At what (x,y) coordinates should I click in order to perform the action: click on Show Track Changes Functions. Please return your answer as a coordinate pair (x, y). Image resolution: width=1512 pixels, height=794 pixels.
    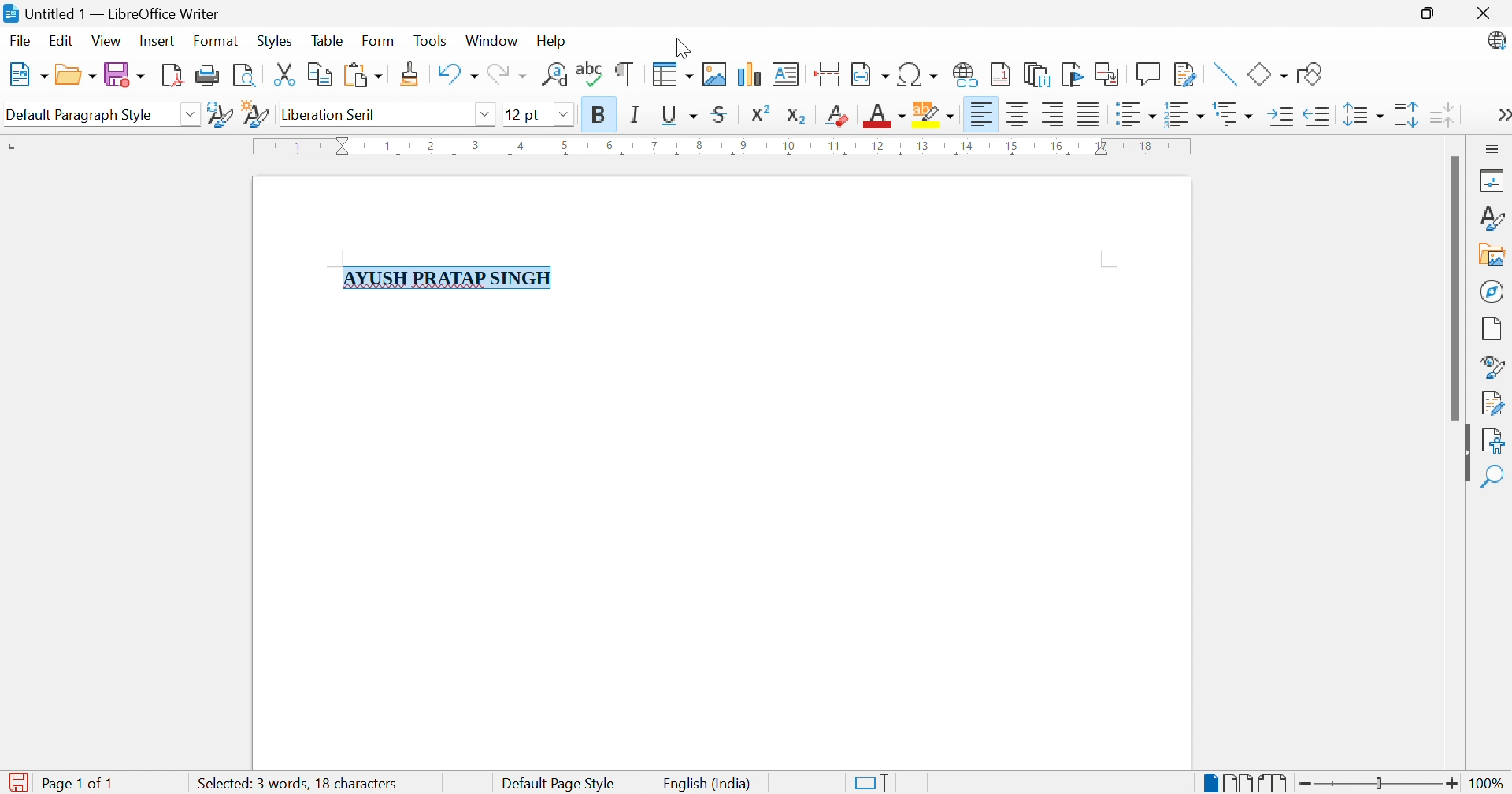
    Looking at the image, I should click on (1183, 74).